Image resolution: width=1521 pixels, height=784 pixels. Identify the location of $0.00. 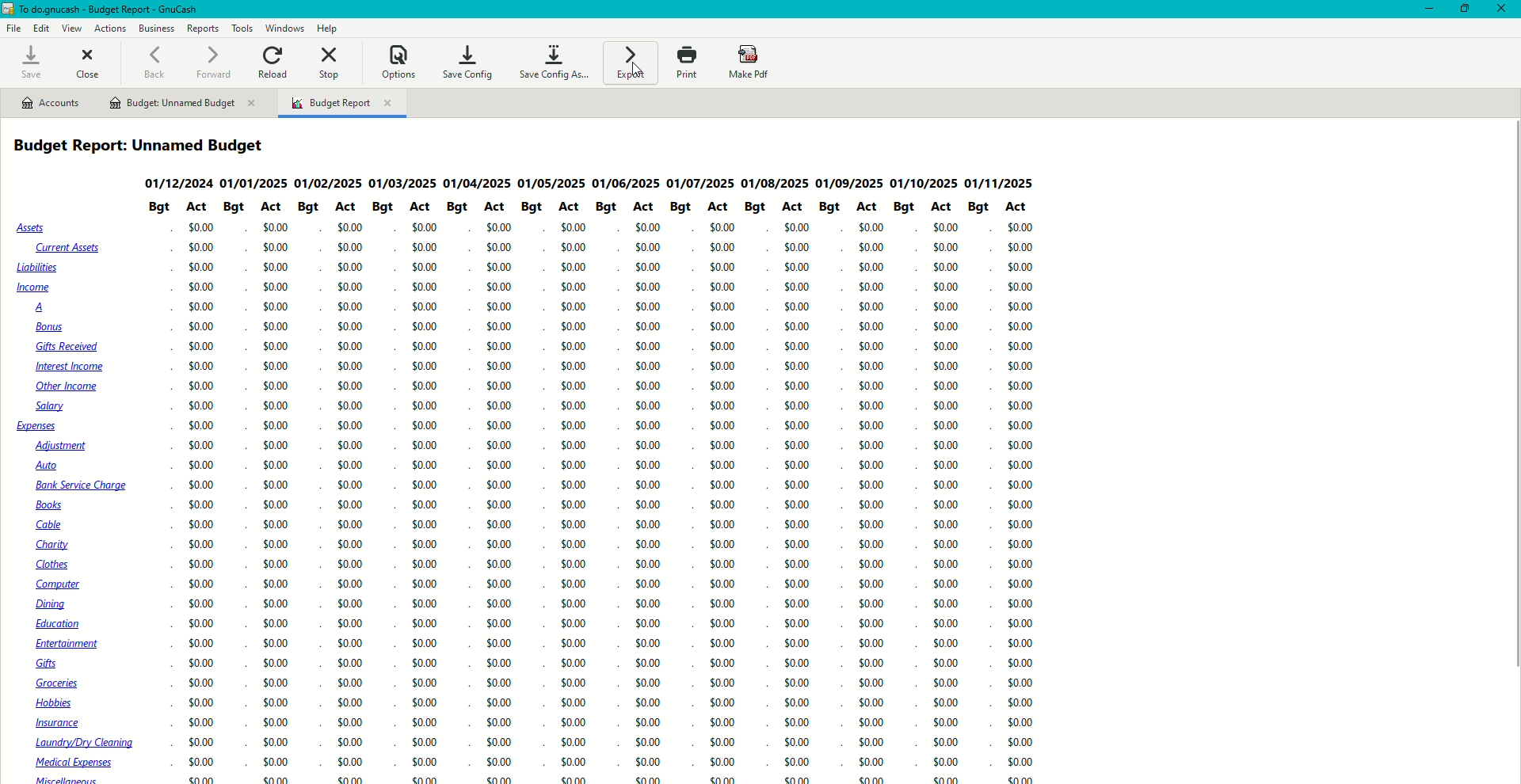
(501, 526).